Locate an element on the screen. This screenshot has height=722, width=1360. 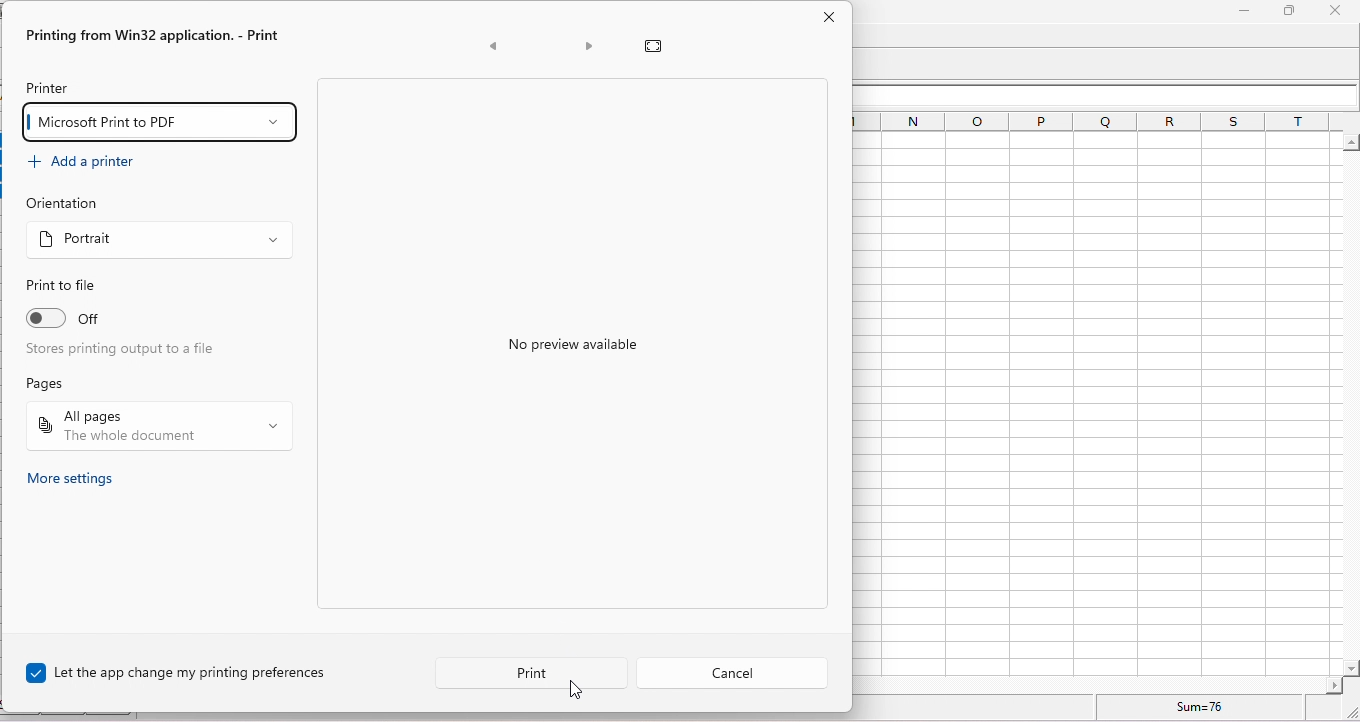
next is located at coordinates (587, 47).